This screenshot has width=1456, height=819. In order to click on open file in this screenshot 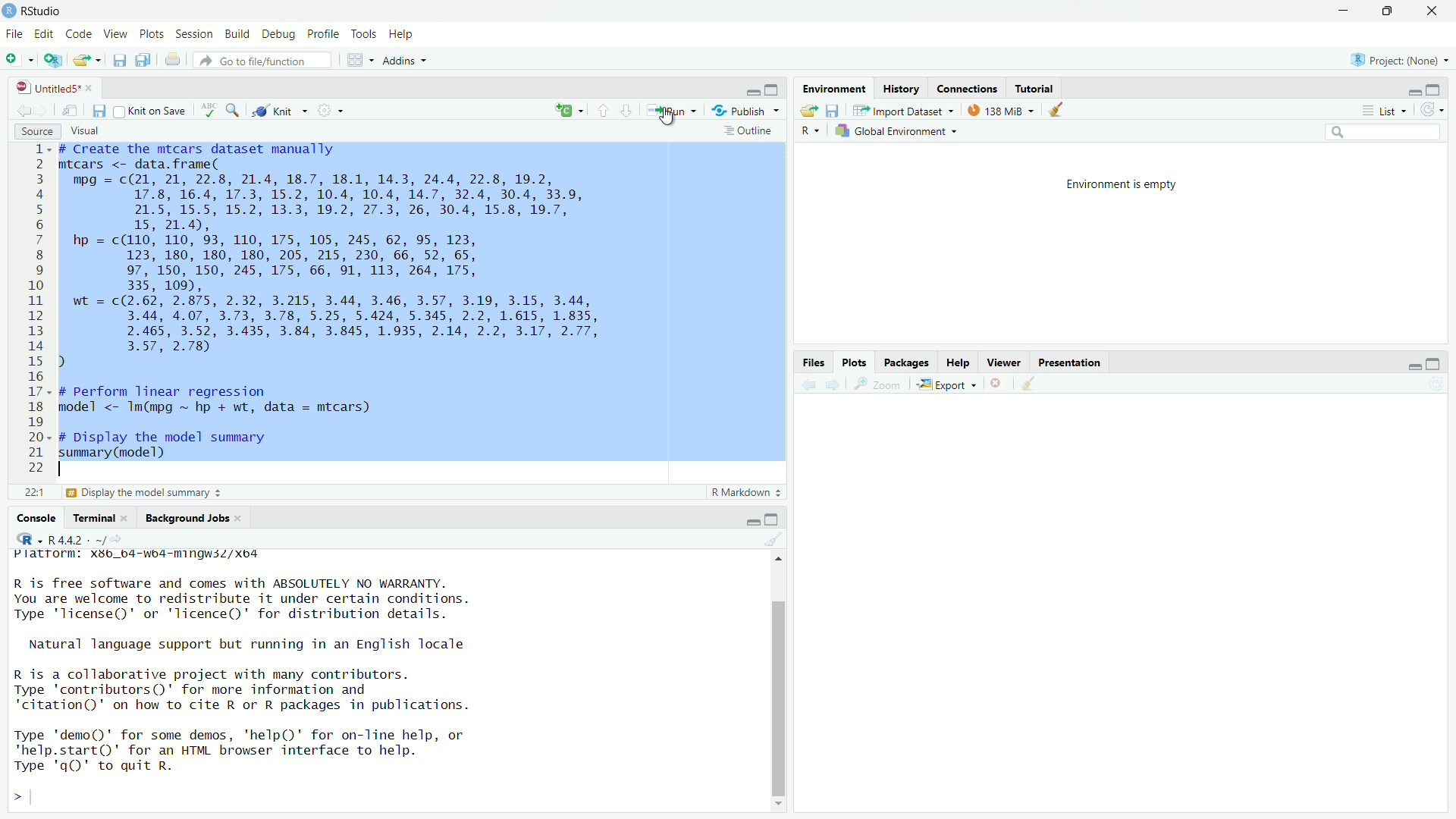, I will do `click(86, 60)`.